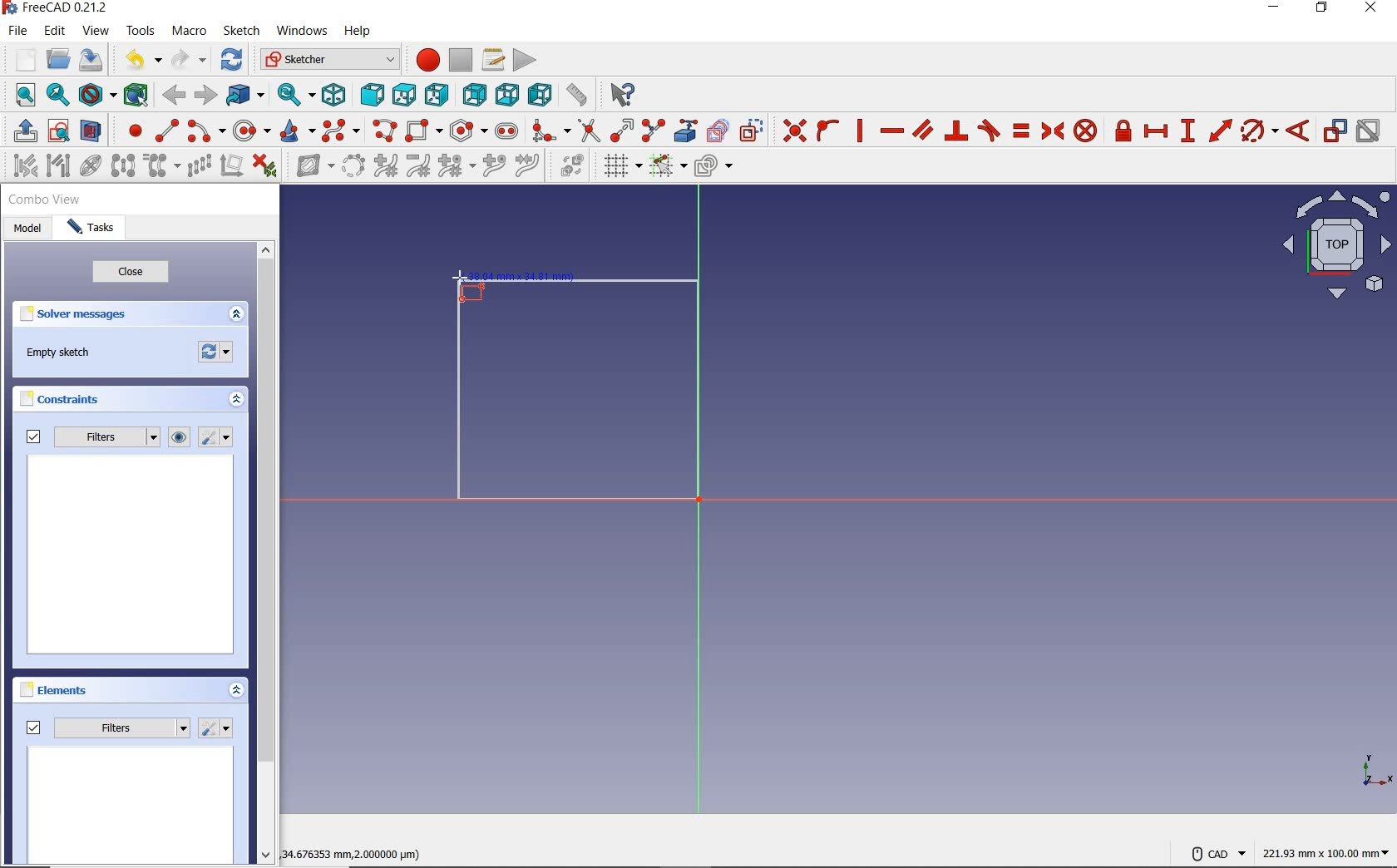  Describe the element at coordinates (190, 32) in the screenshot. I see `macro` at that location.